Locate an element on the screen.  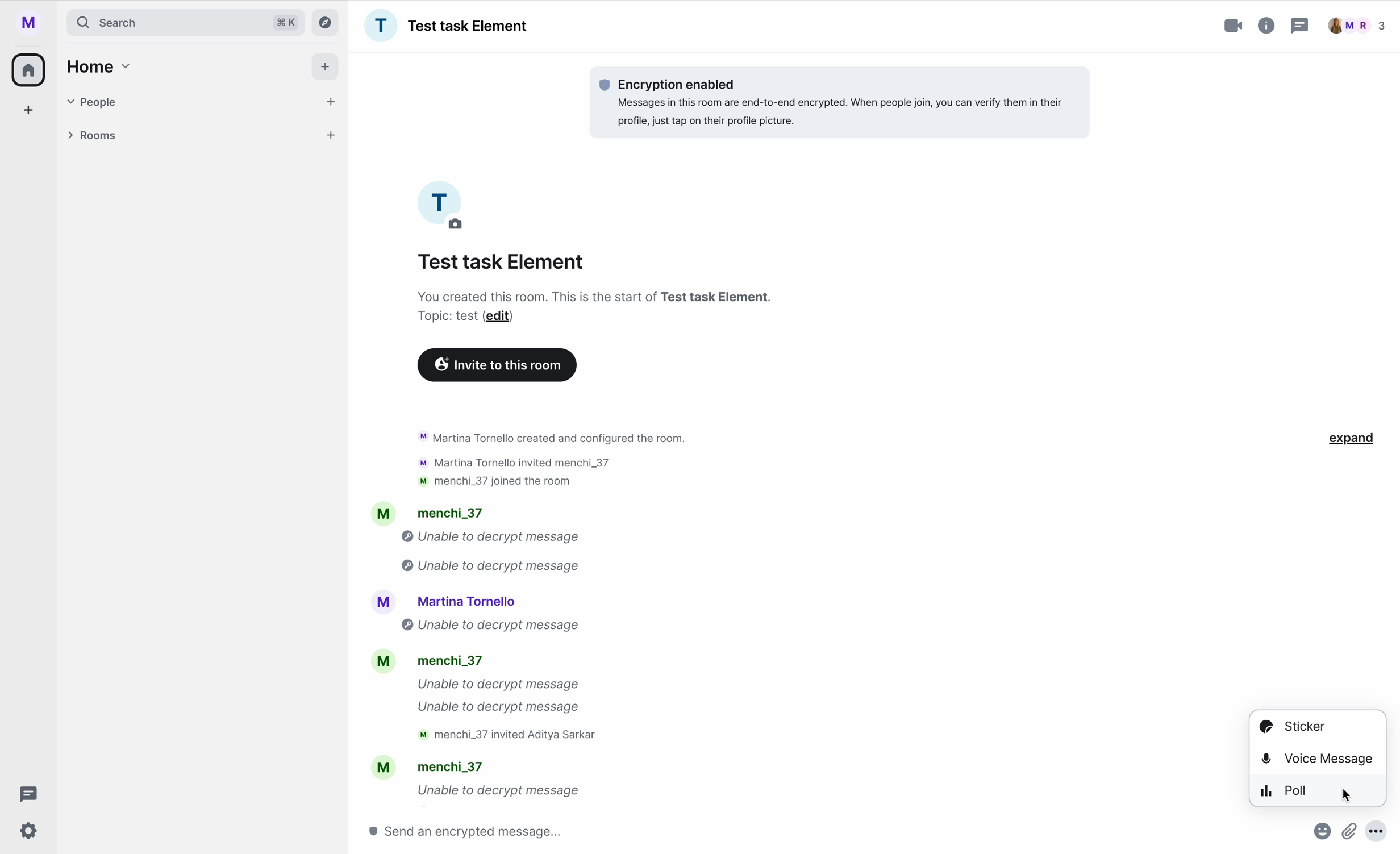
search tab is located at coordinates (185, 22).